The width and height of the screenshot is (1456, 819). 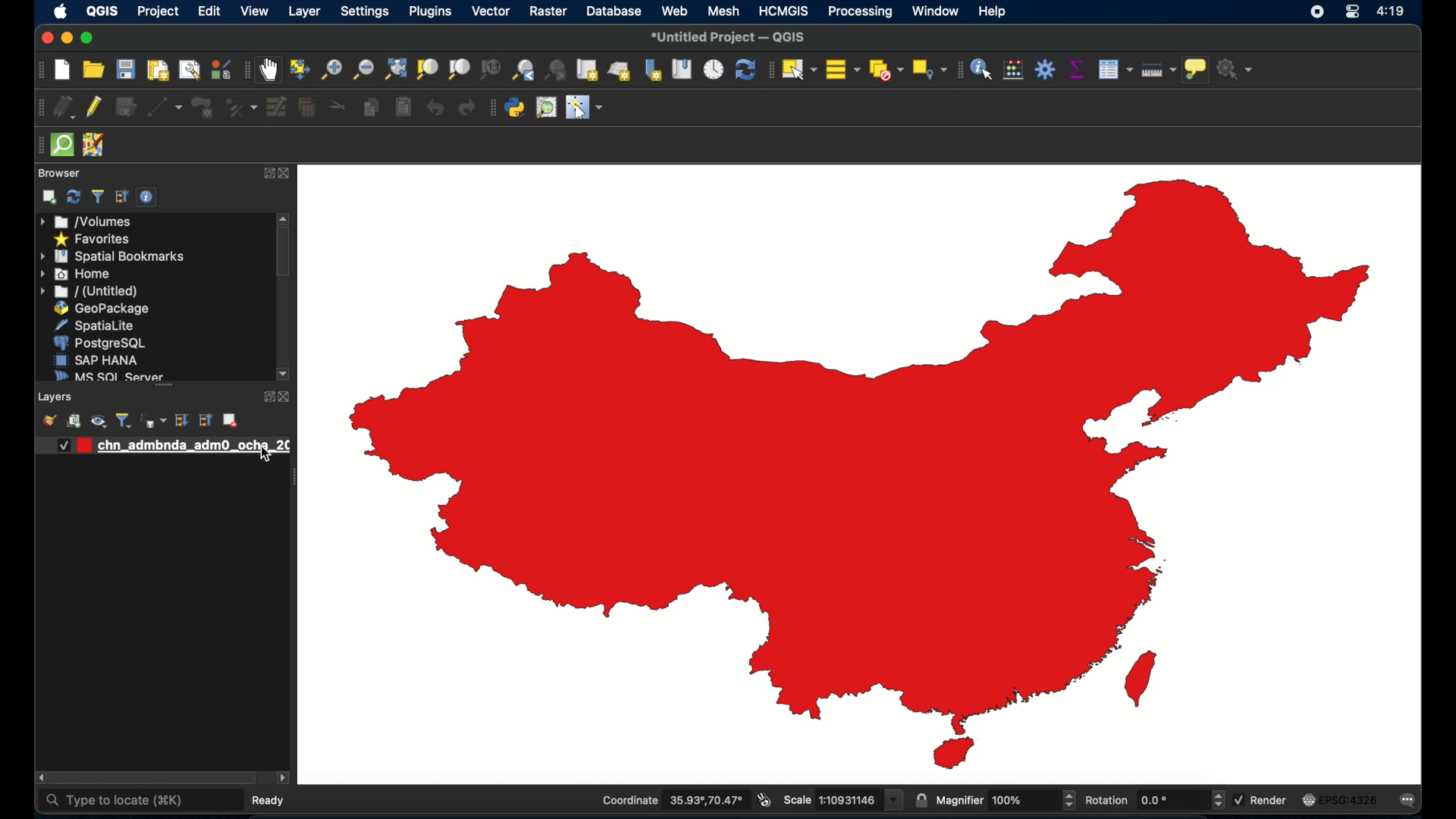 What do you see at coordinates (284, 253) in the screenshot?
I see `scroll box` at bounding box center [284, 253].